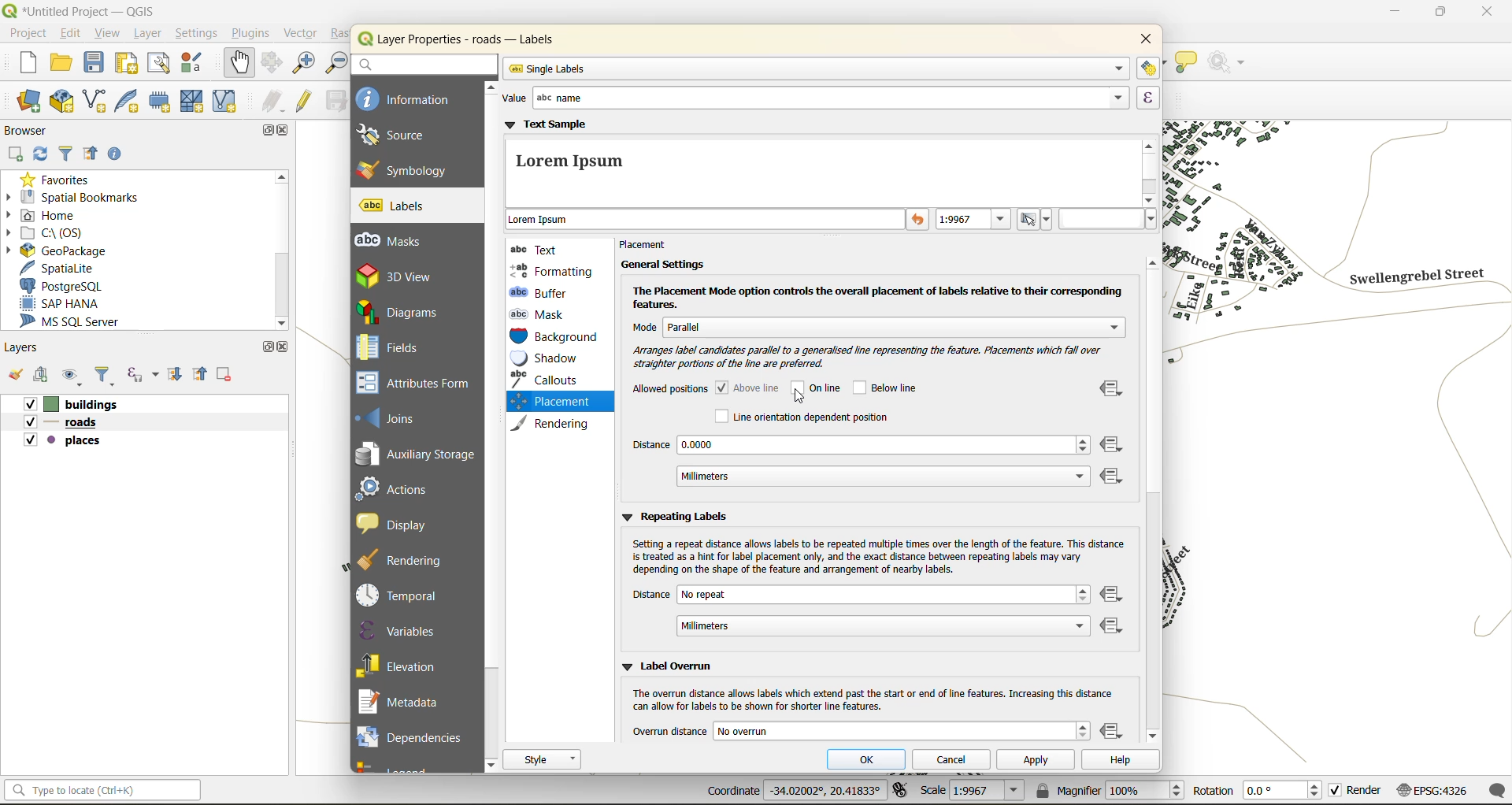 The height and width of the screenshot is (805, 1512). I want to click on layers, so click(28, 350).